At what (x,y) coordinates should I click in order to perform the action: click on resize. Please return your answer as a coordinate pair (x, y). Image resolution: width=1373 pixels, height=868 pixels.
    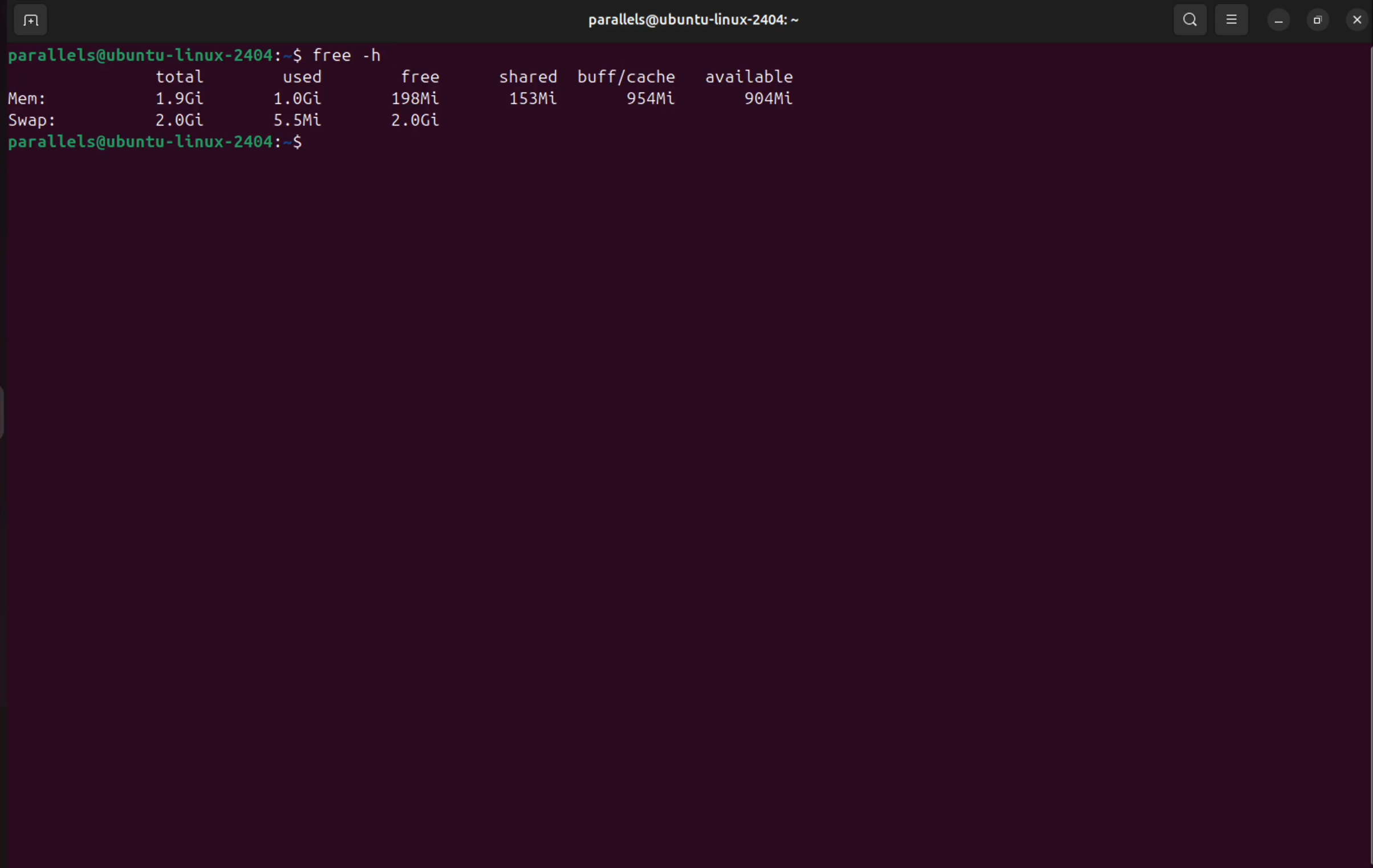
    Looking at the image, I should click on (1318, 21).